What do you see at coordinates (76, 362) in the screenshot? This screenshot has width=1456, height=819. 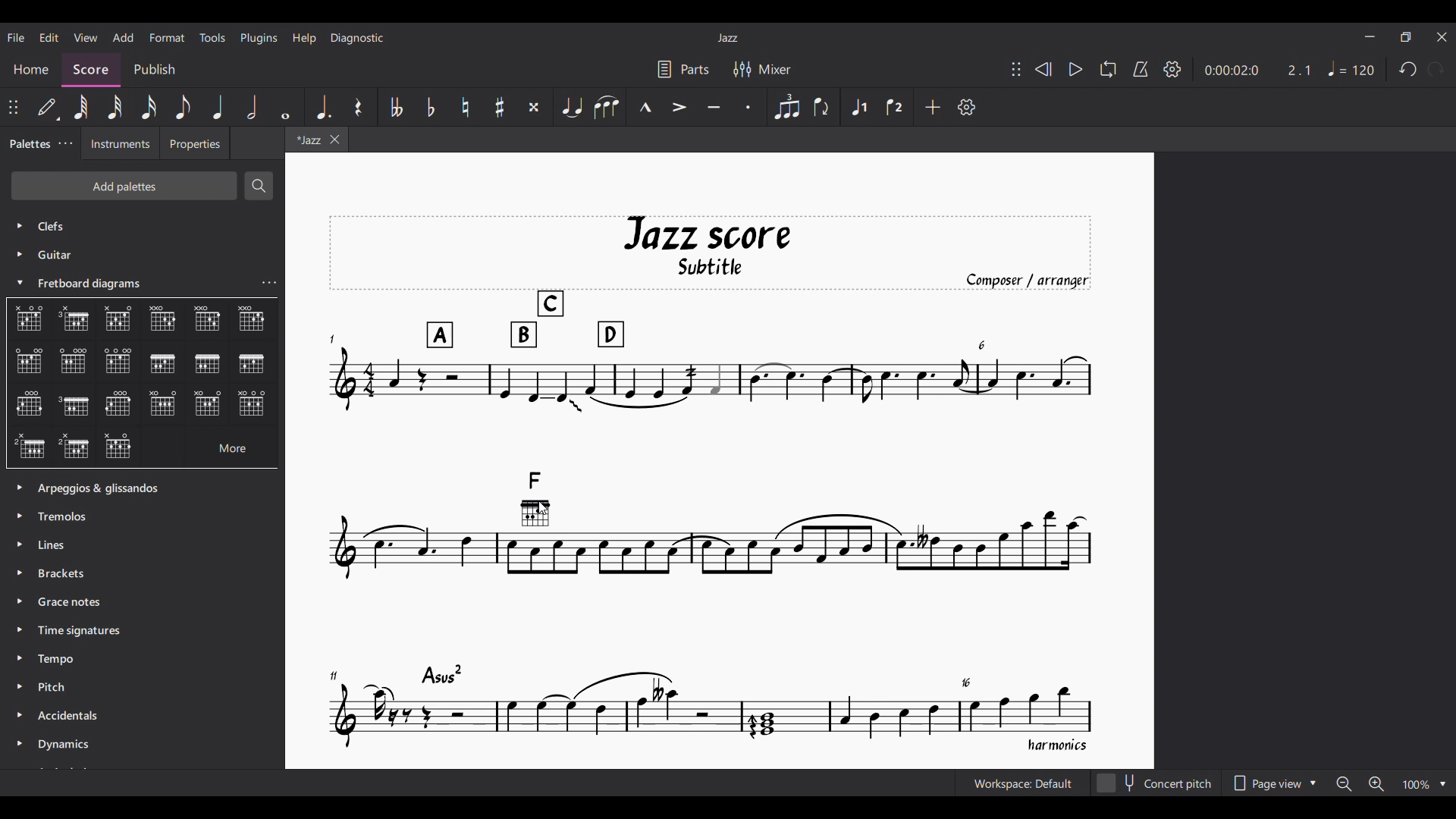 I see `Chart 7` at bounding box center [76, 362].